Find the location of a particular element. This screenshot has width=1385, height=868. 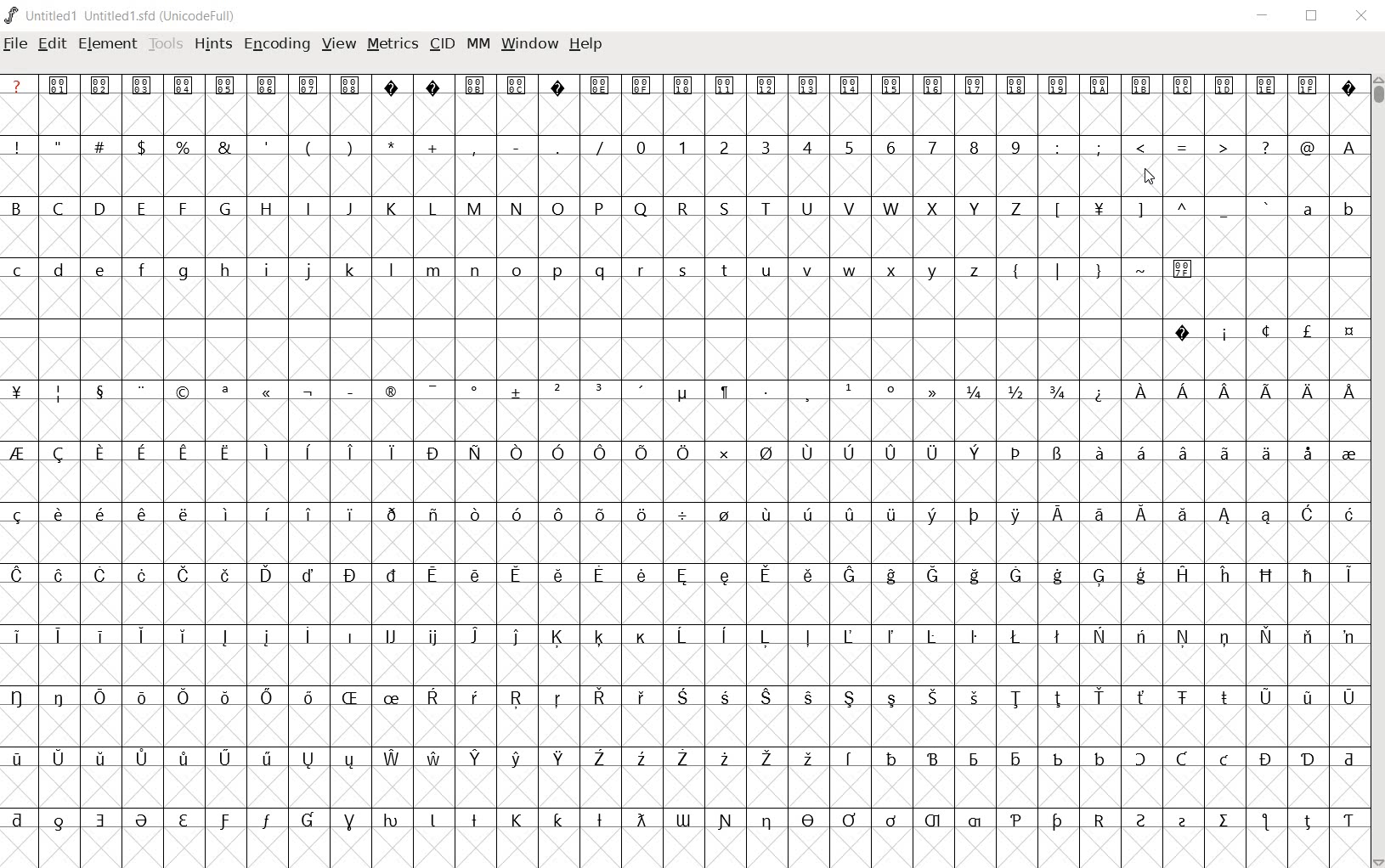

fractions  is located at coordinates (1015, 389).